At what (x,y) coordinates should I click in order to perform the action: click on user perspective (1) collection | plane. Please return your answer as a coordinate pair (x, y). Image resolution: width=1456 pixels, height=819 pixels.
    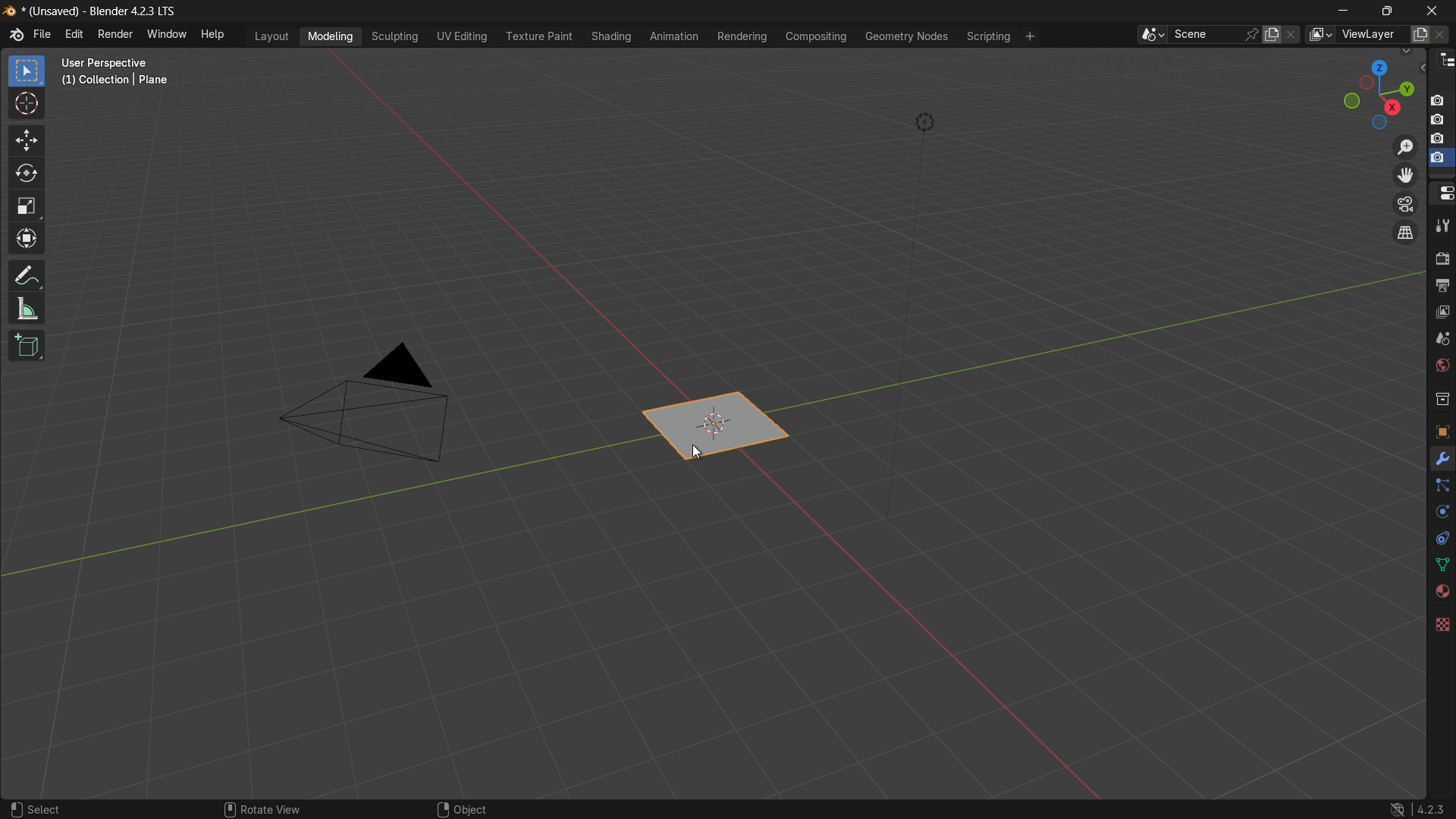
    Looking at the image, I should click on (147, 83).